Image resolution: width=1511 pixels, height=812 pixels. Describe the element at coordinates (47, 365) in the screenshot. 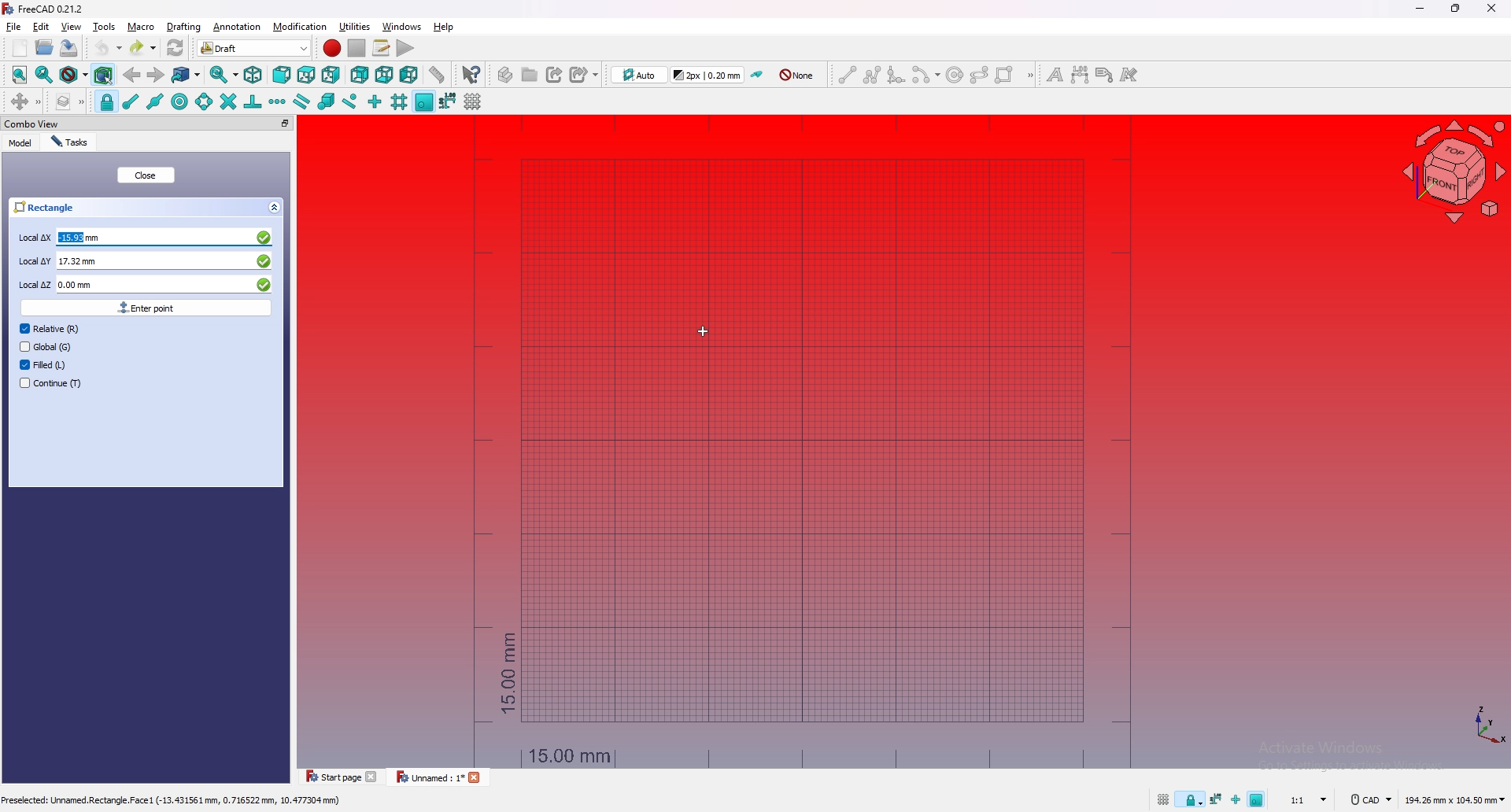

I see `filed (L)` at that location.